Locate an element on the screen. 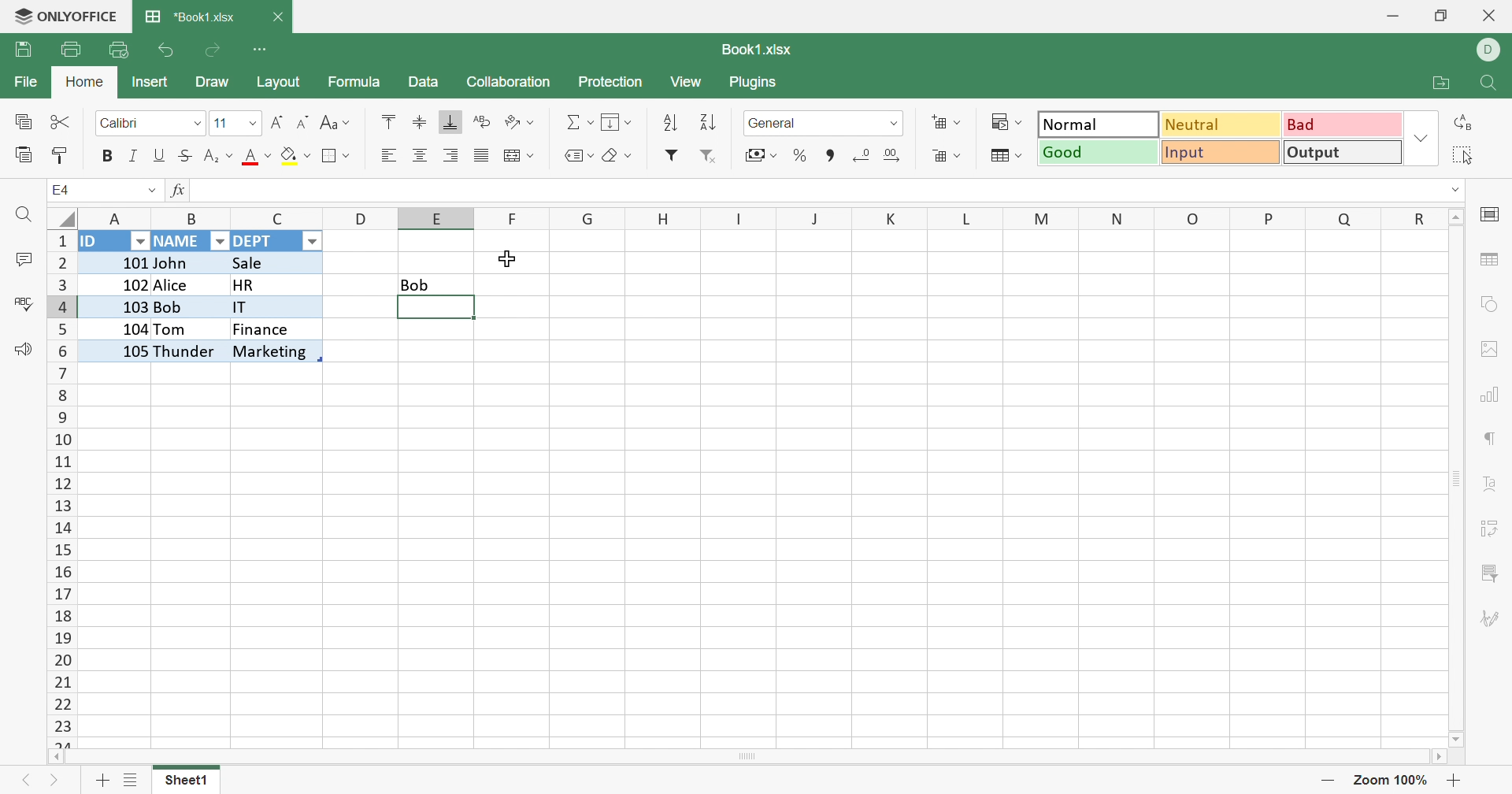  image settings is located at coordinates (1490, 349).